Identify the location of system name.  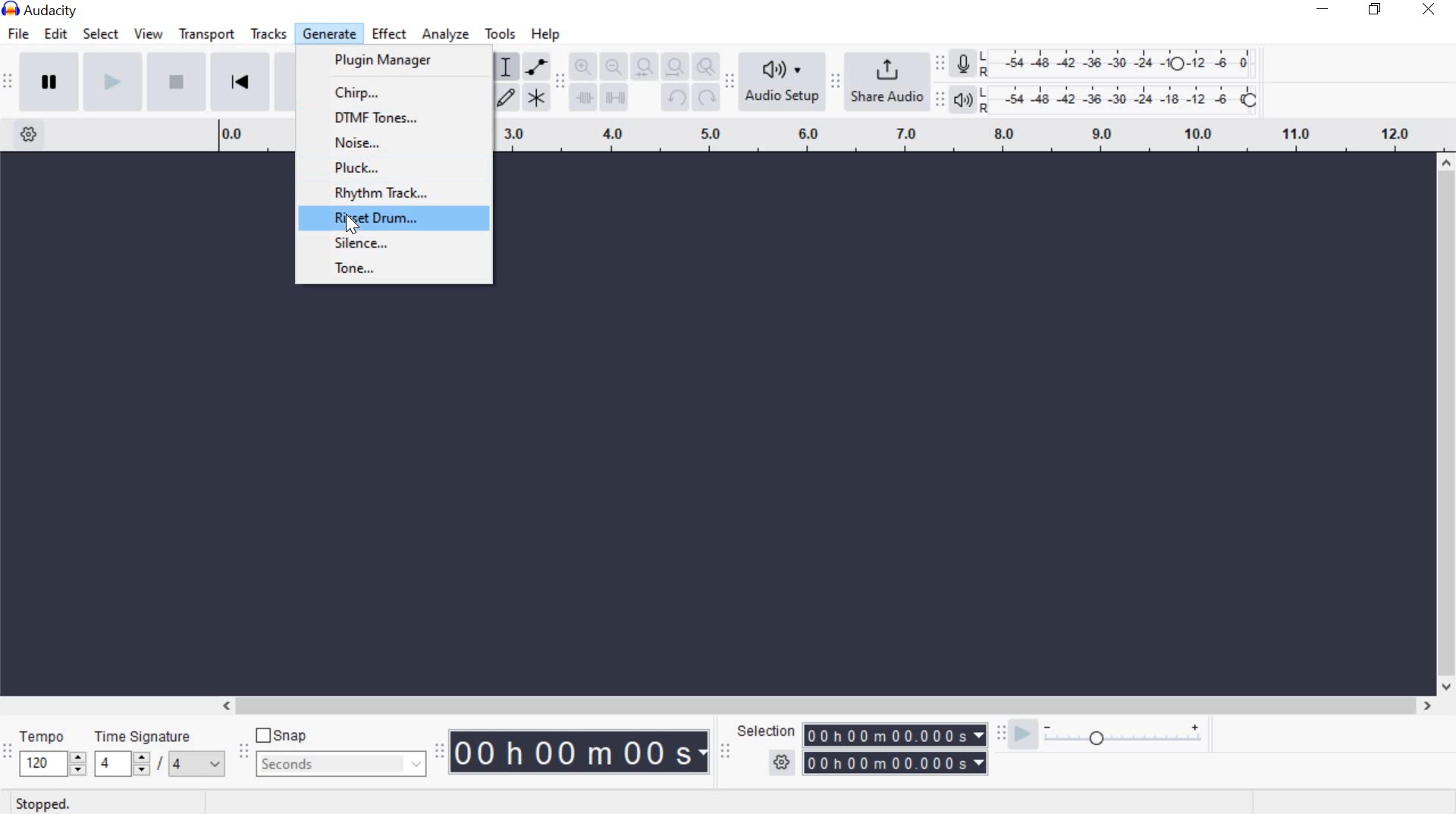
(47, 9).